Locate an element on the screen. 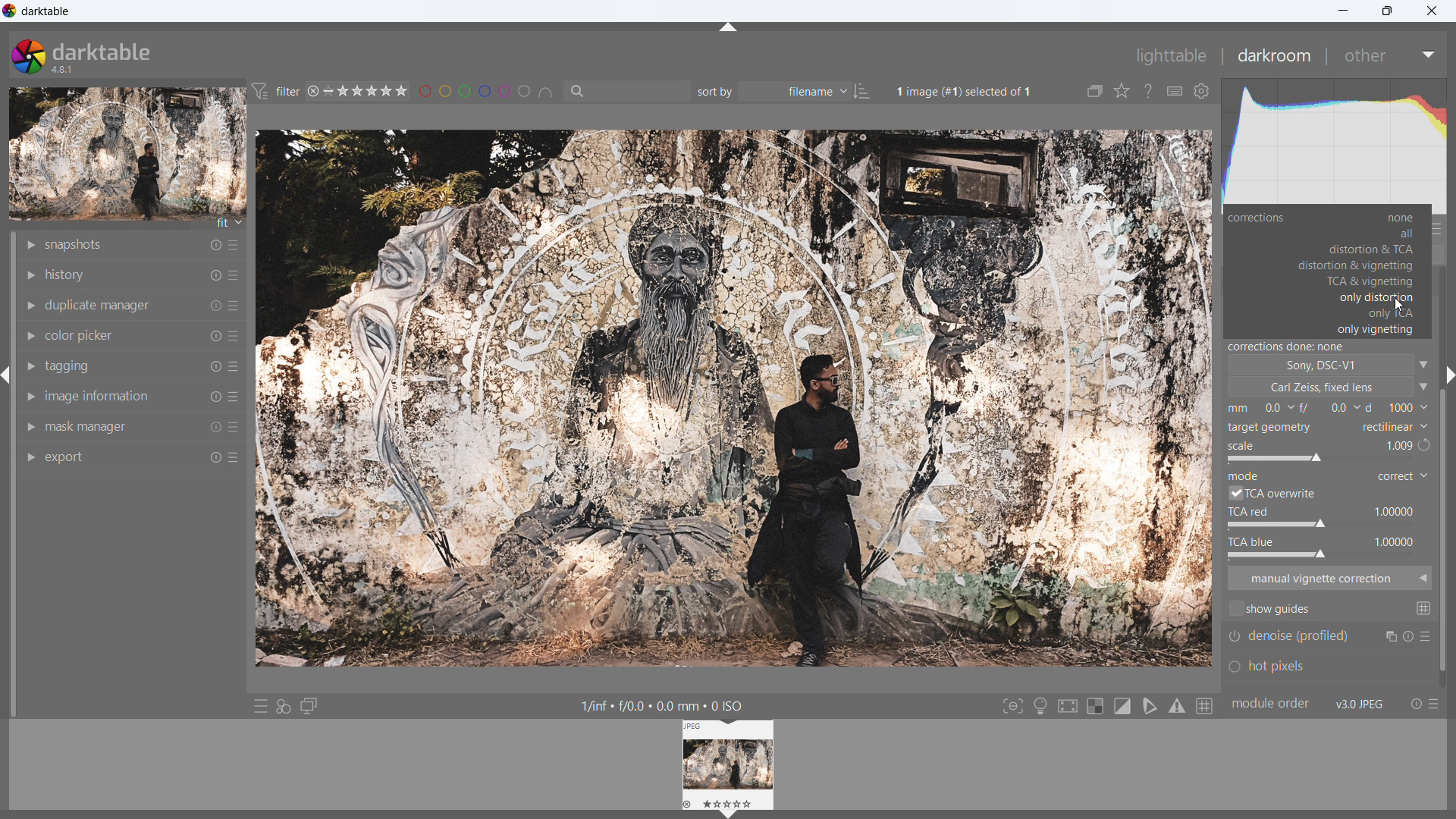 The width and height of the screenshot is (1456, 819). show guides is located at coordinates (1270, 610).